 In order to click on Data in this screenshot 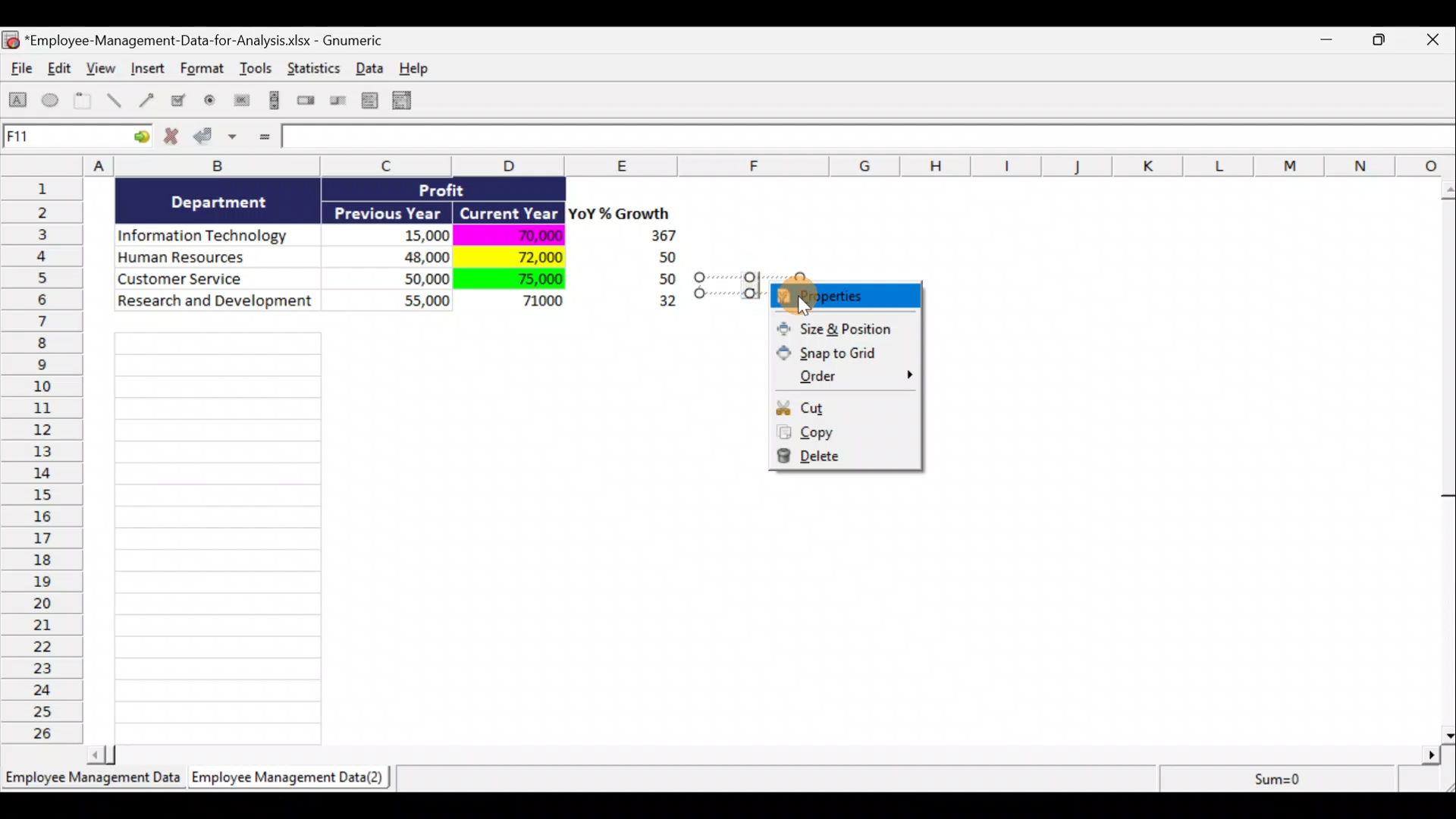, I will do `click(374, 67)`.